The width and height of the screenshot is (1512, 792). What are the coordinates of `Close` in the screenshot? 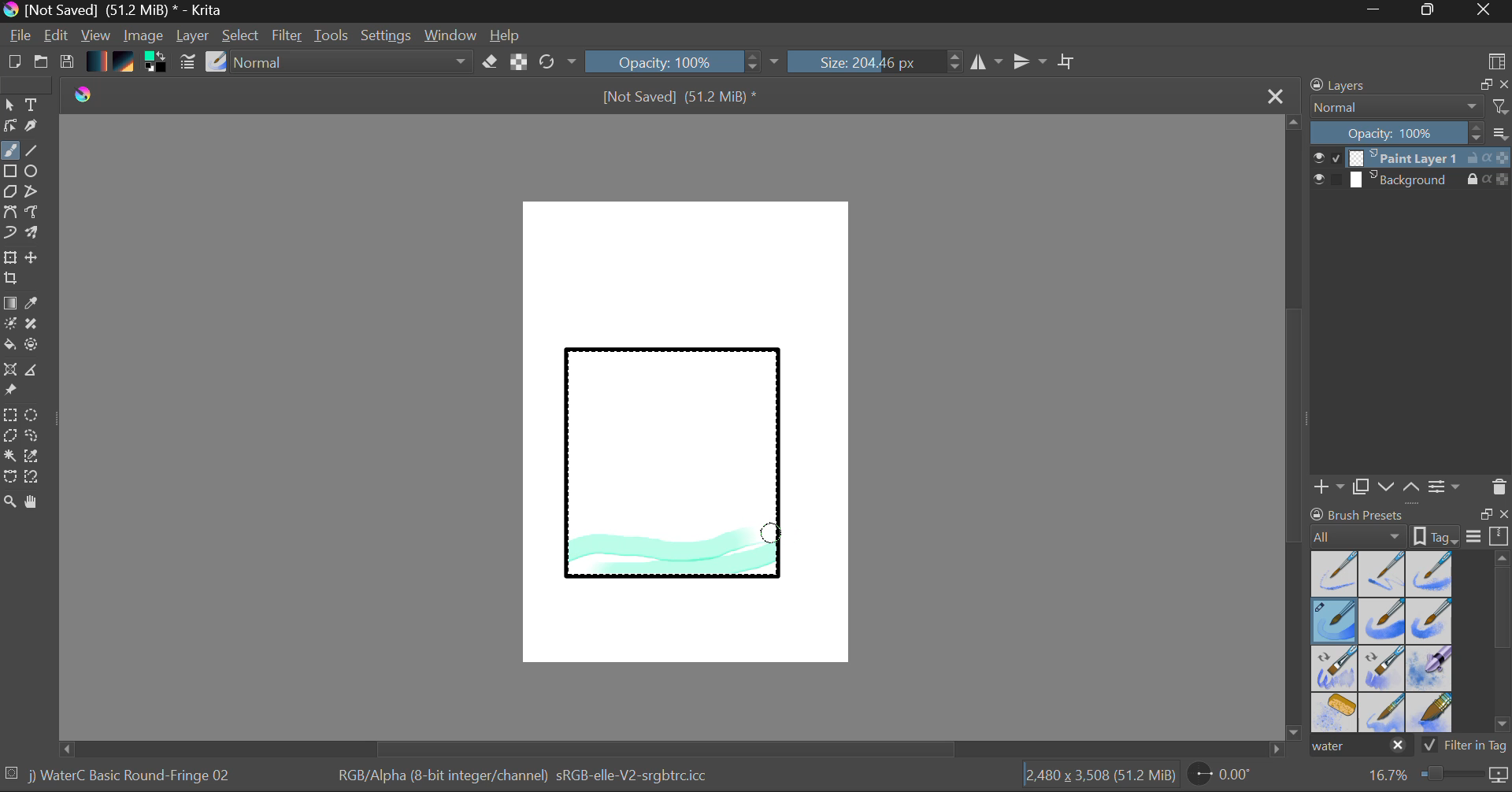 It's located at (1485, 11).